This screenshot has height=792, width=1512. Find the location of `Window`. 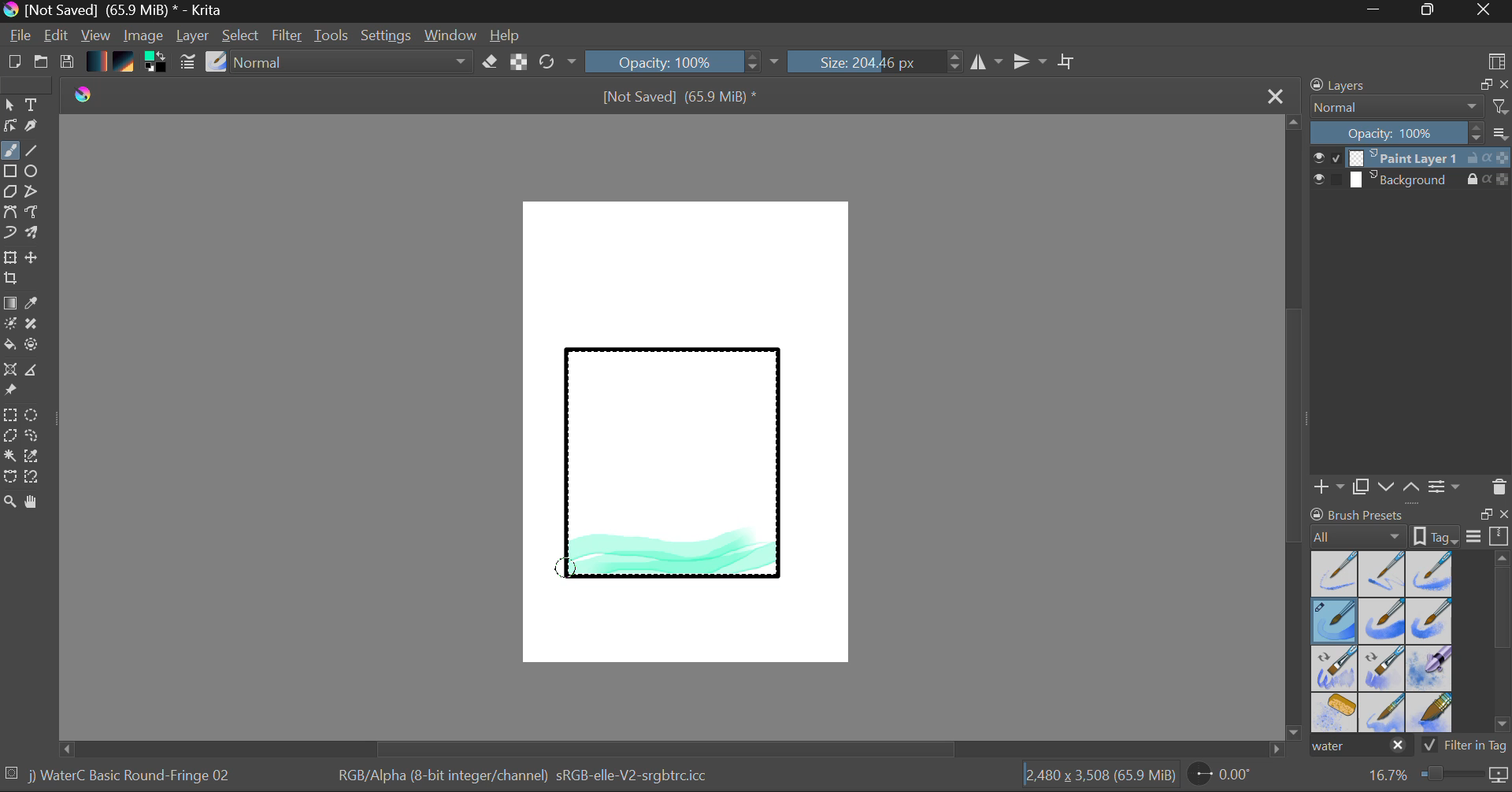

Window is located at coordinates (453, 35).